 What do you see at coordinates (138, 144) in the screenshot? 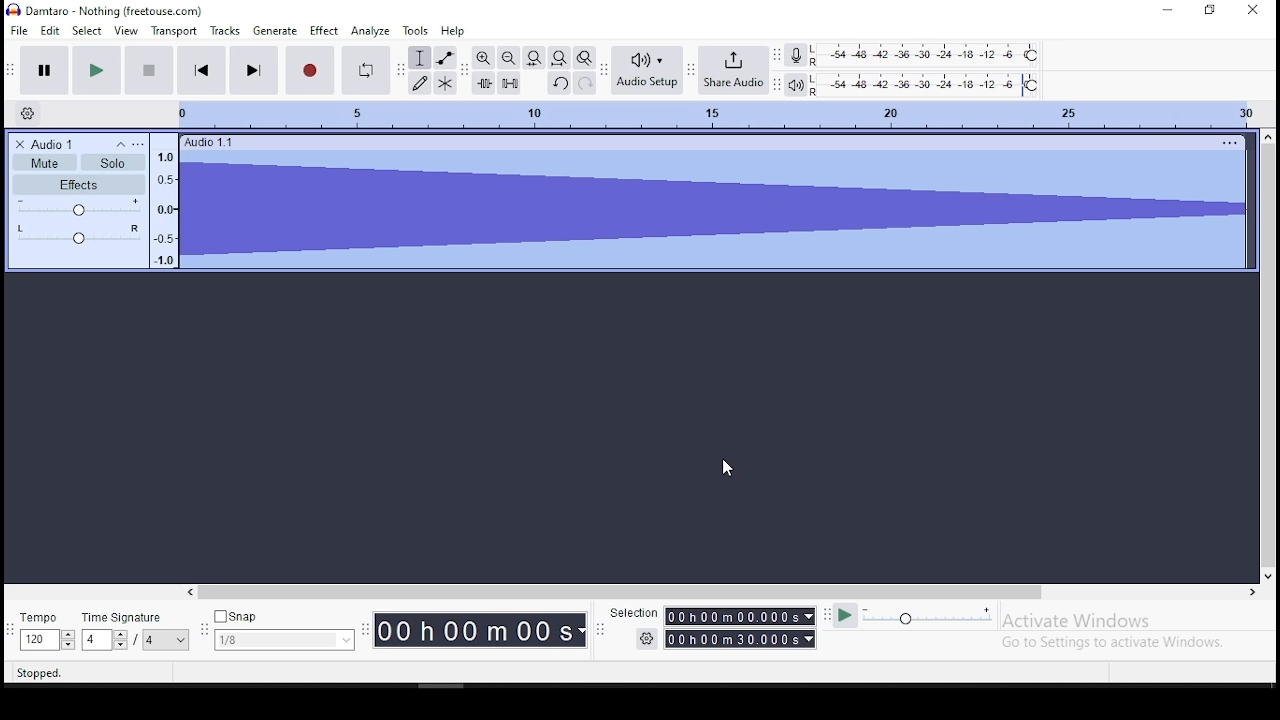
I see `open menu` at bounding box center [138, 144].